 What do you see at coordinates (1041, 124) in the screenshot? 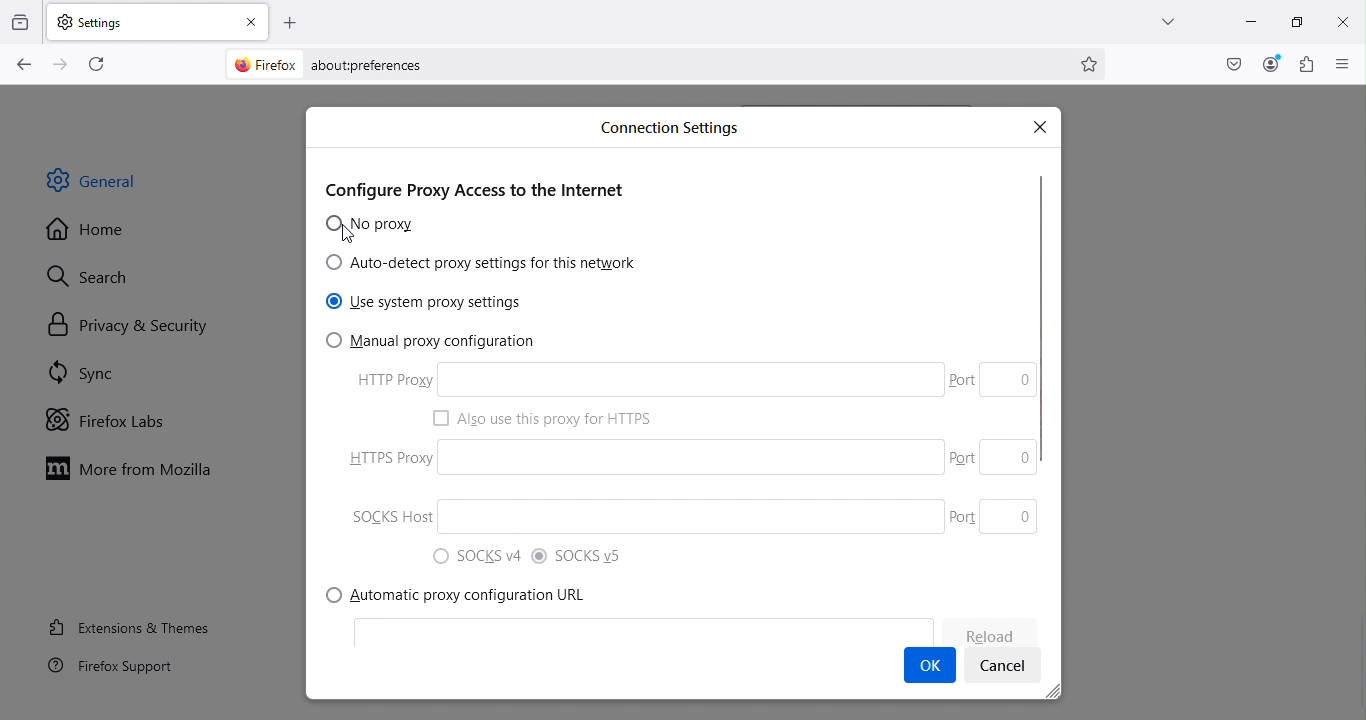
I see `Close` at bounding box center [1041, 124].